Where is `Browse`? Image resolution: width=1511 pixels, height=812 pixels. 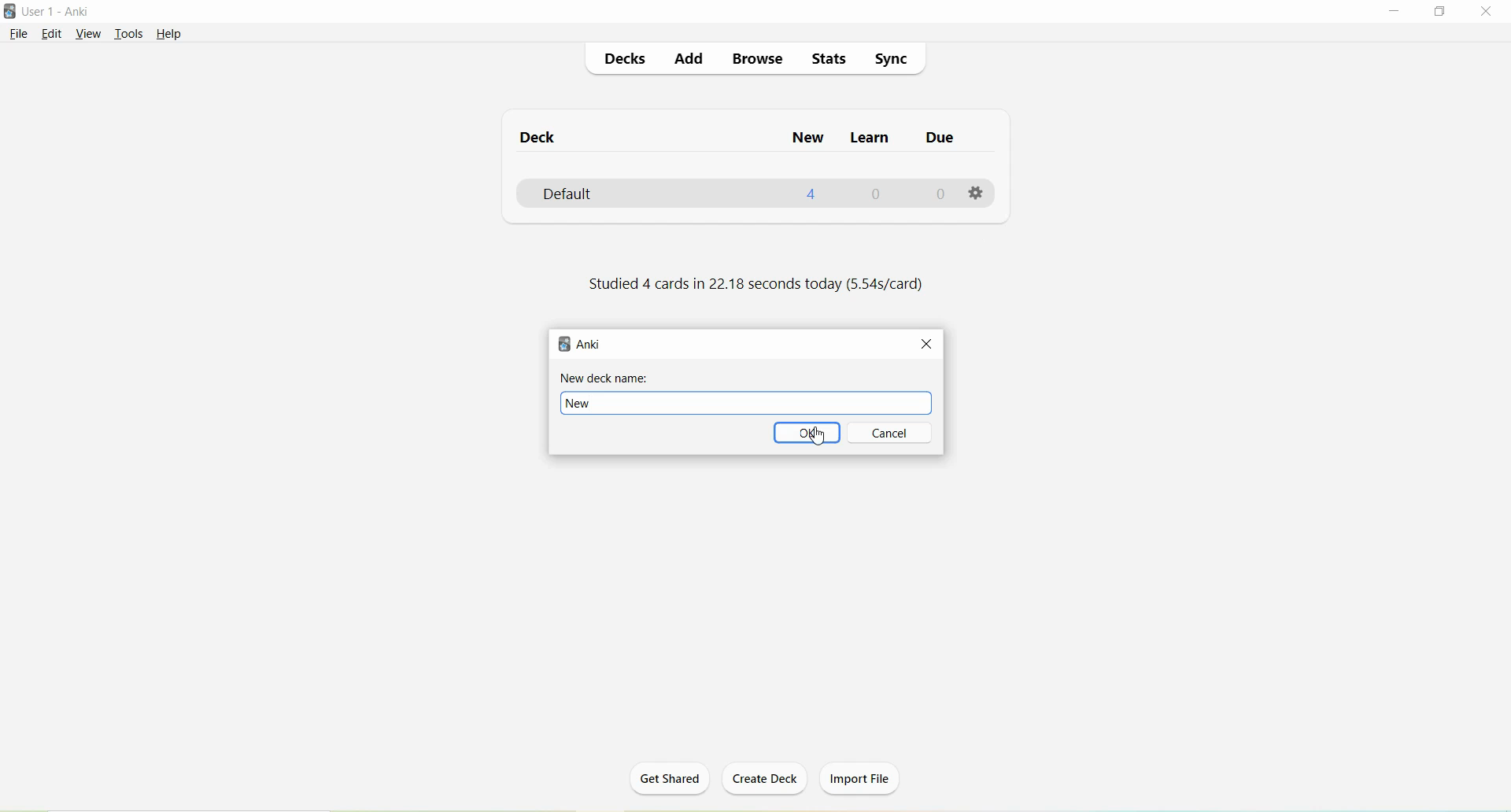
Browse is located at coordinates (759, 61).